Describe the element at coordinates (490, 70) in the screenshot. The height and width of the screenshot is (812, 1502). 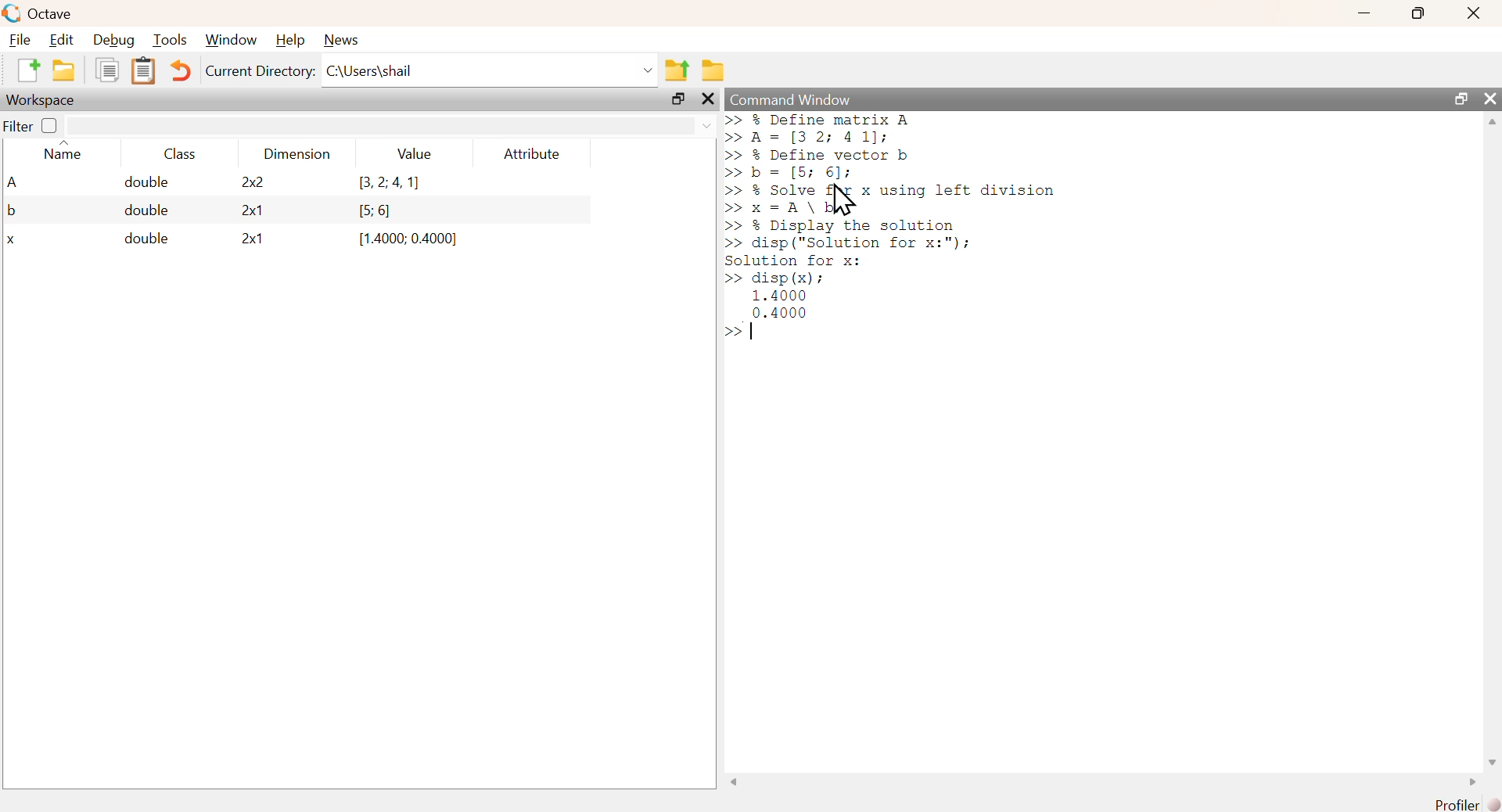
I see `C:\Users\shail ` at that location.